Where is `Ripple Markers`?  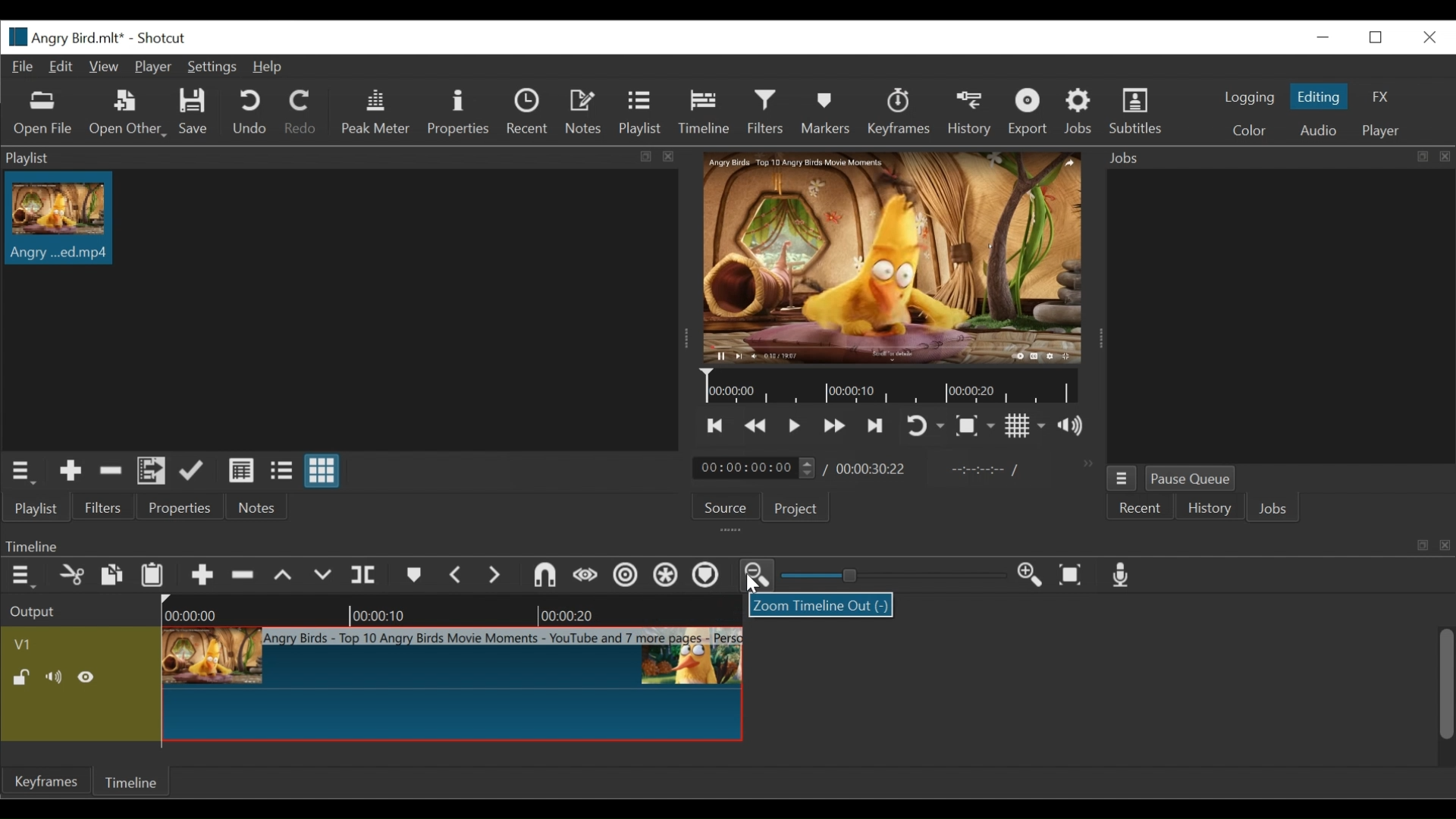 Ripple Markers is located at coordinates (709, 577).